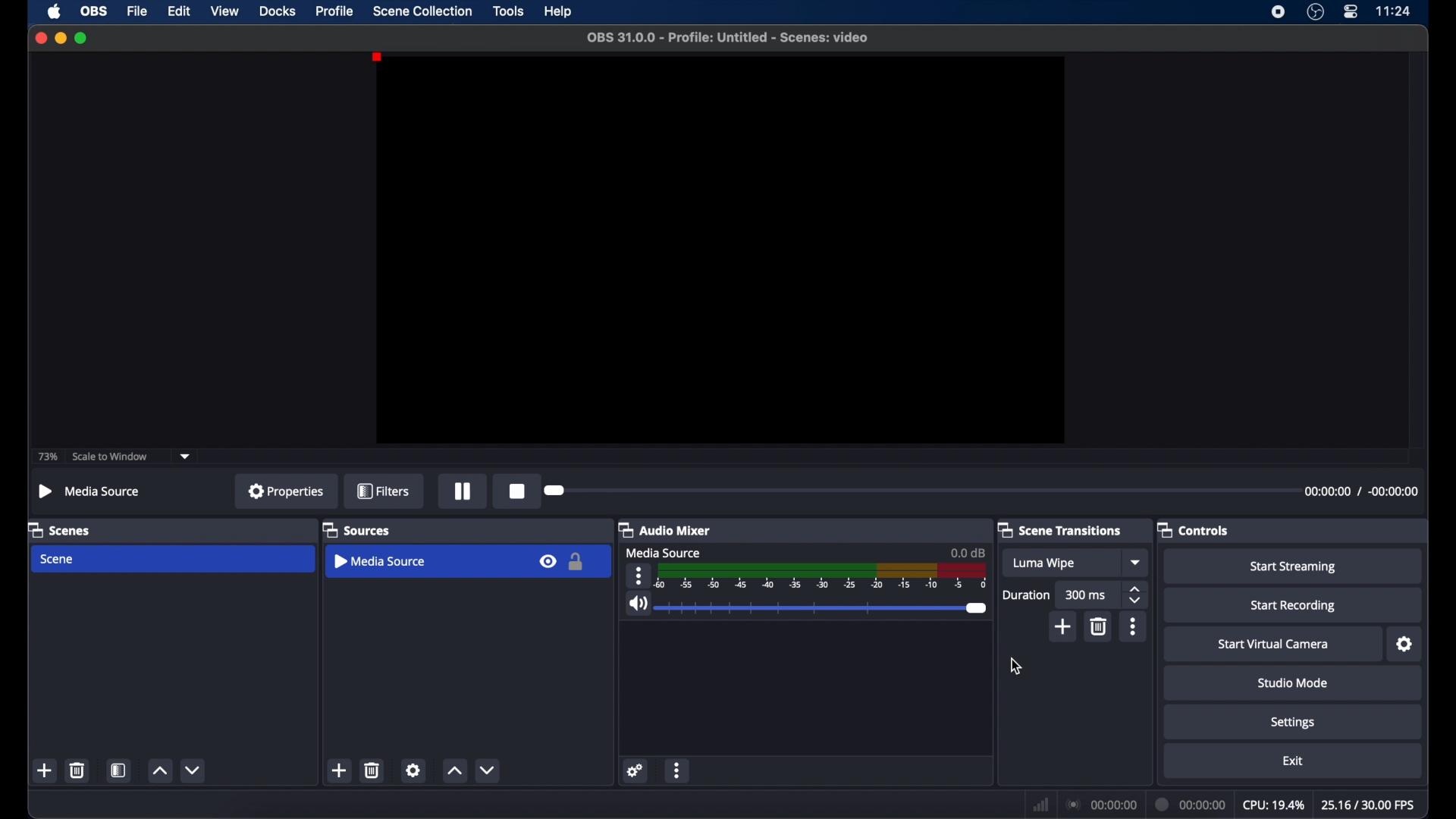 The width and height of the screenshot is (1456, 819). I want to click on docks, so click(278, 11).